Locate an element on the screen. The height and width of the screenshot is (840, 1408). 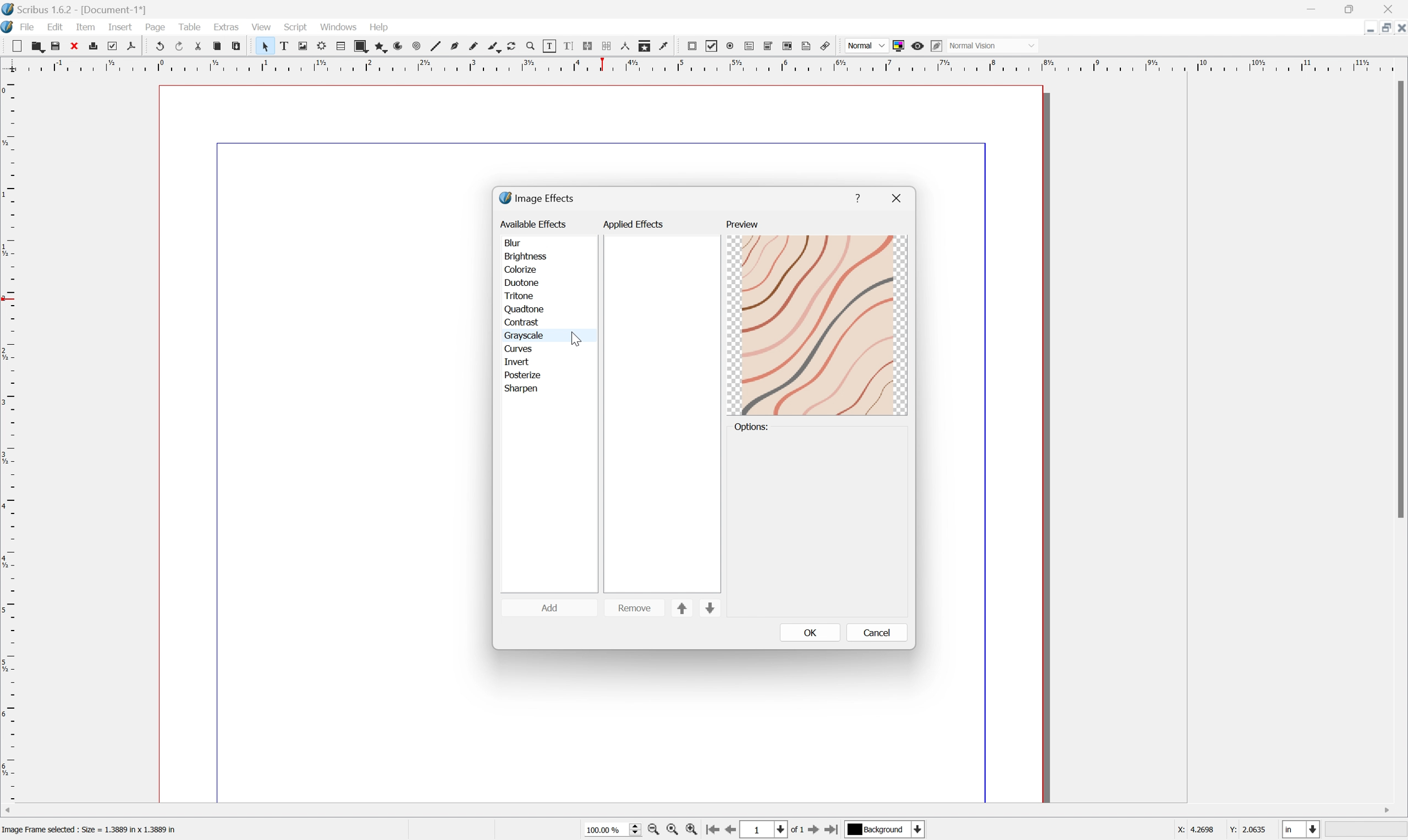
Y: 2.0635 is located at coordinates (1249, 830).